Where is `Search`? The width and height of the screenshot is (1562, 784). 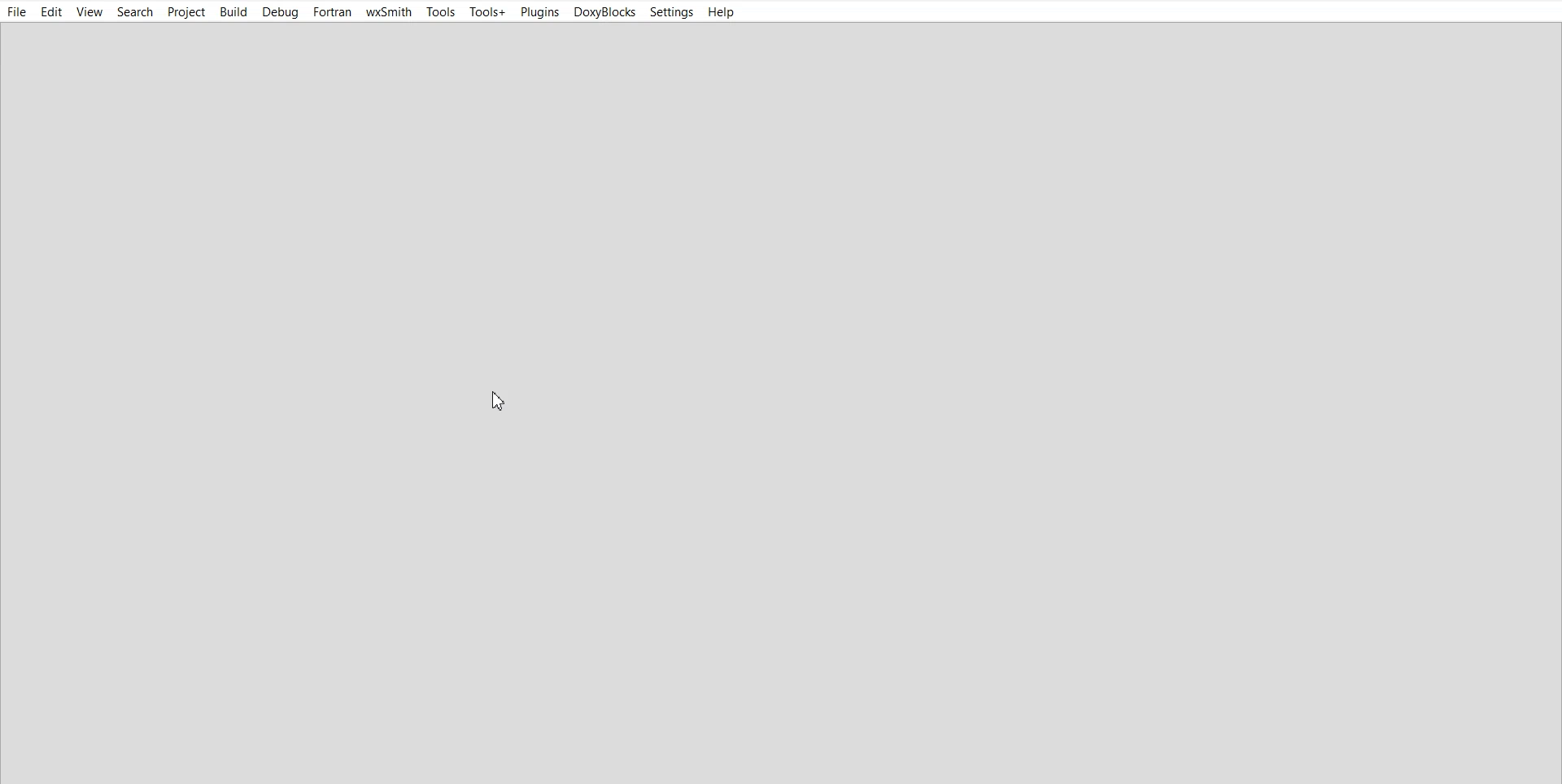 Search is located at coordinates (134, 12).